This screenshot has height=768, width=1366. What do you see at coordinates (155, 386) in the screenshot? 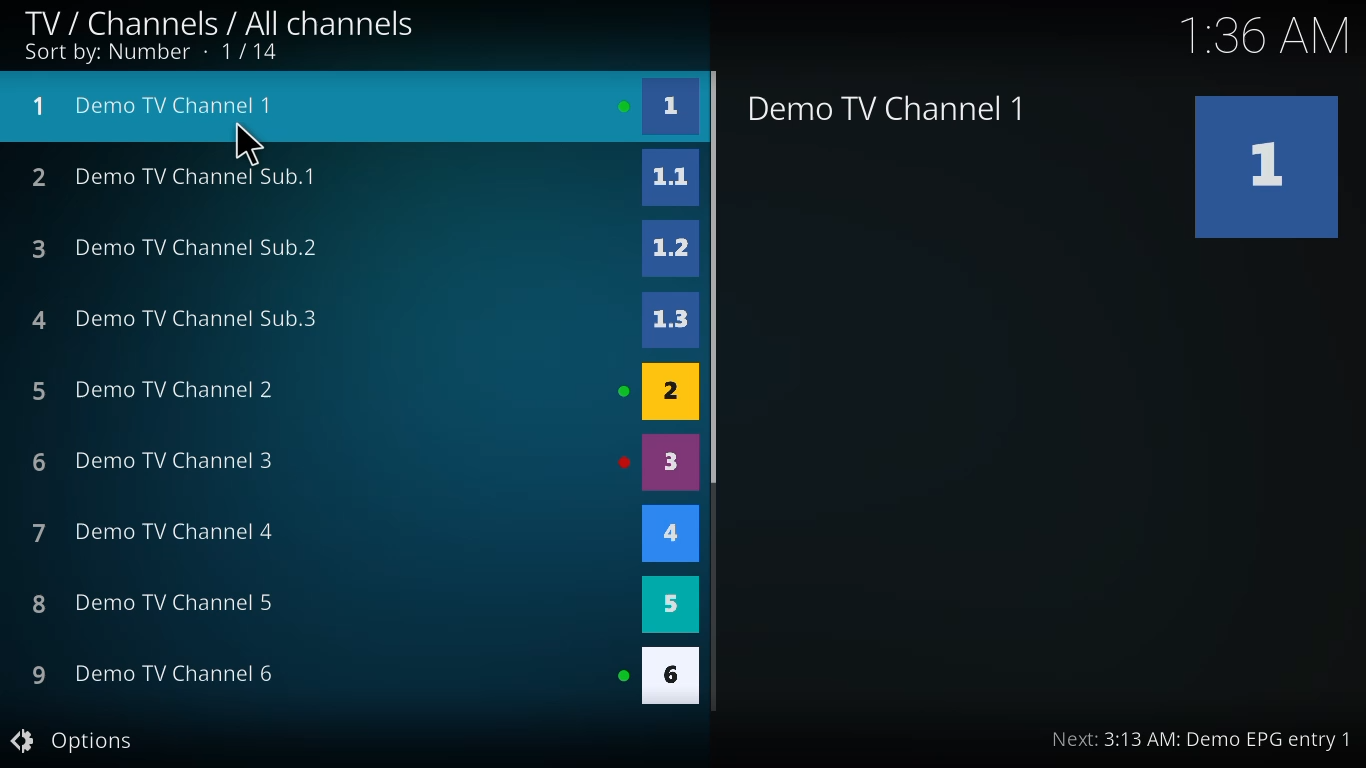
I see `demo channel 2` at bounding box center [155, 386].